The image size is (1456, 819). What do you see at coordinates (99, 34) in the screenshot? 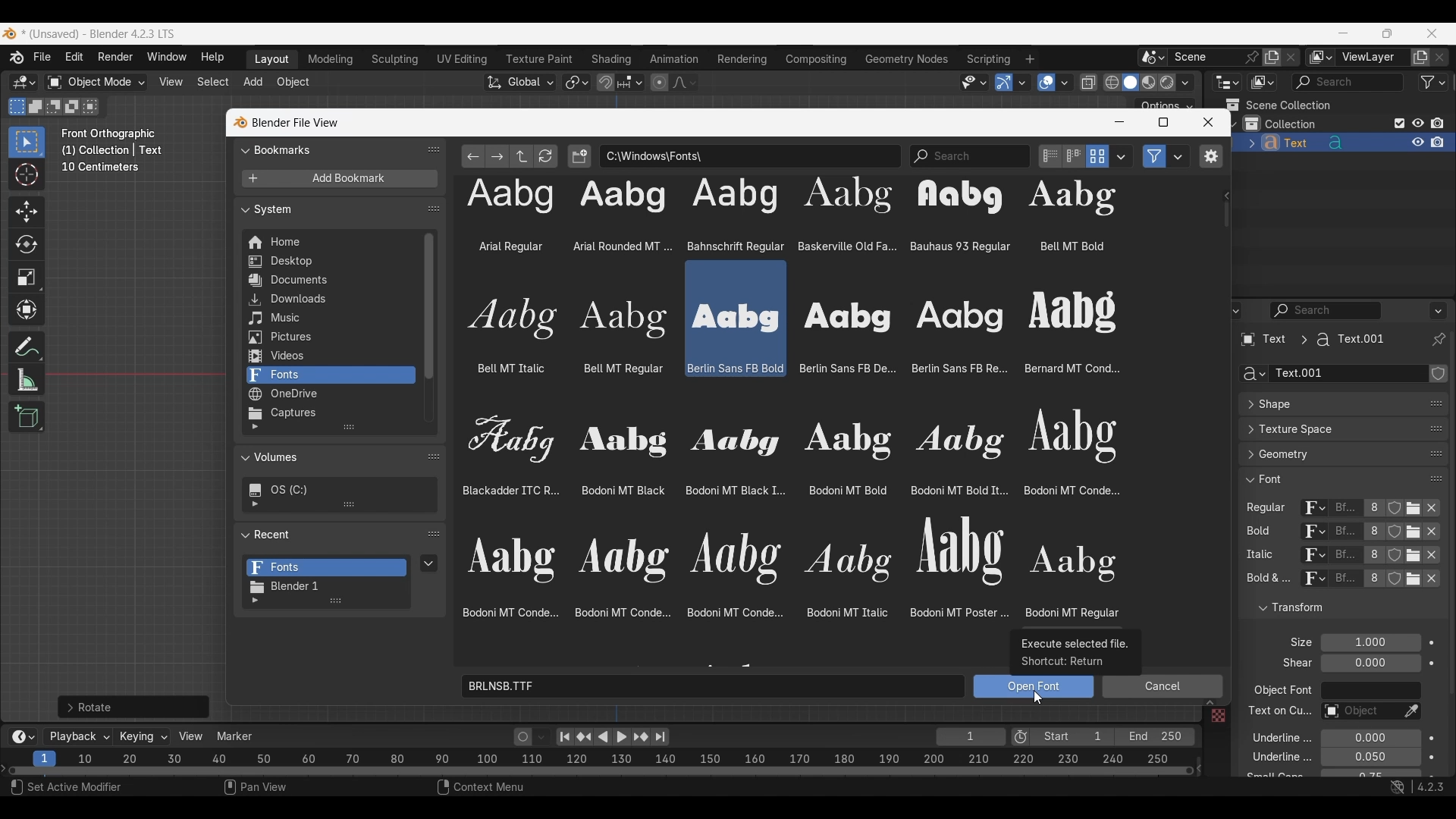
I see `Project and software name` at bounding box center [99, 34].